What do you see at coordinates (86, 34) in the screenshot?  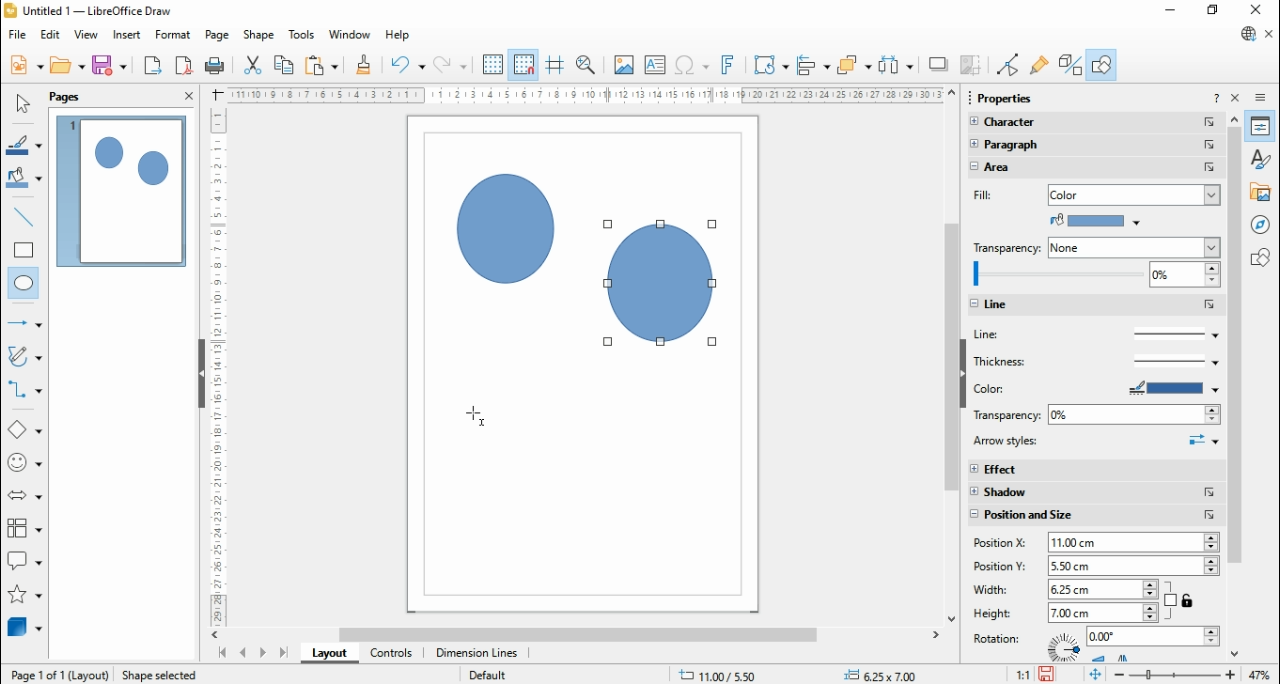 I see `view` at bounding box center [86, 34].